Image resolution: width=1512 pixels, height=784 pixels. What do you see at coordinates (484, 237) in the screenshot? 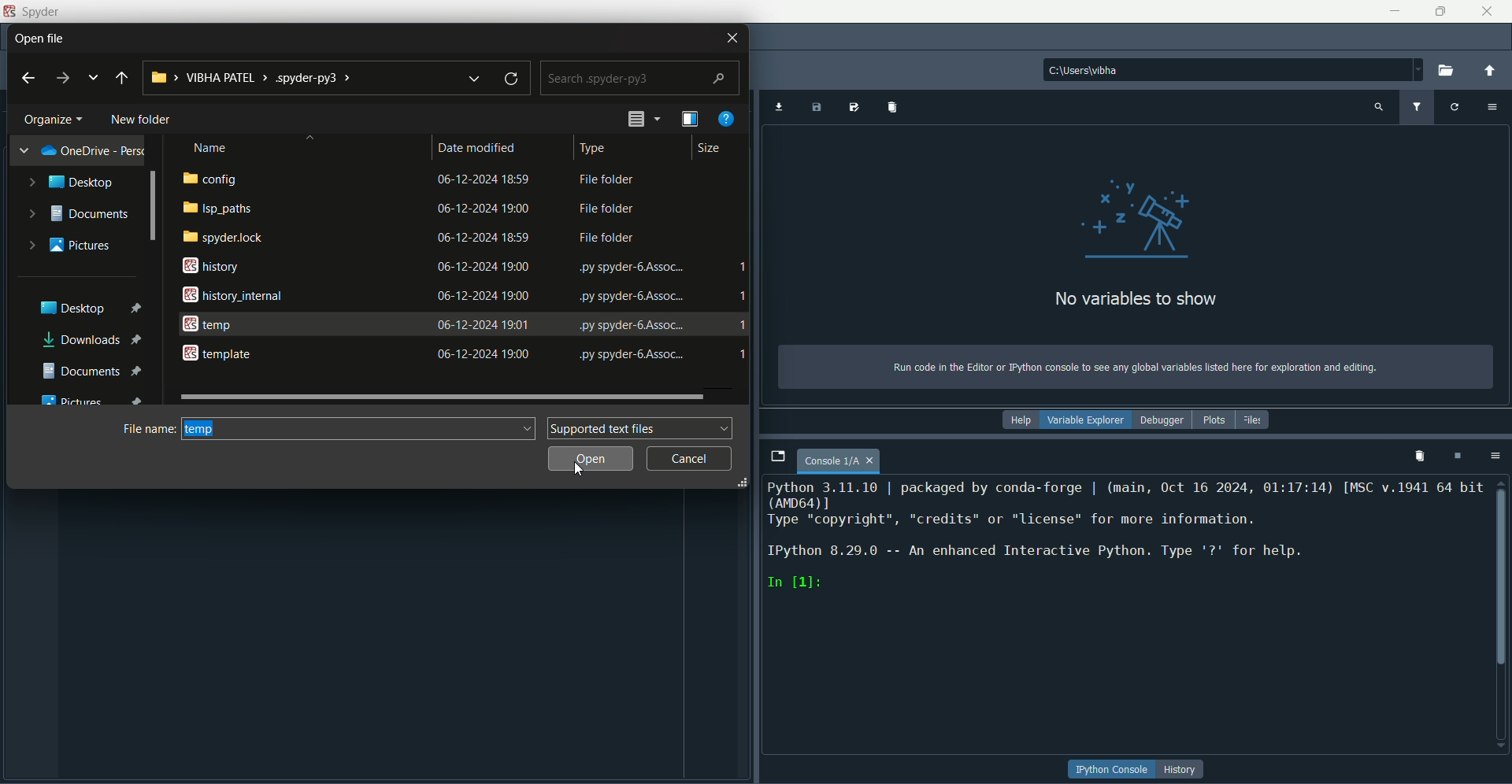
I see `date` at bounding box center [484, 237].